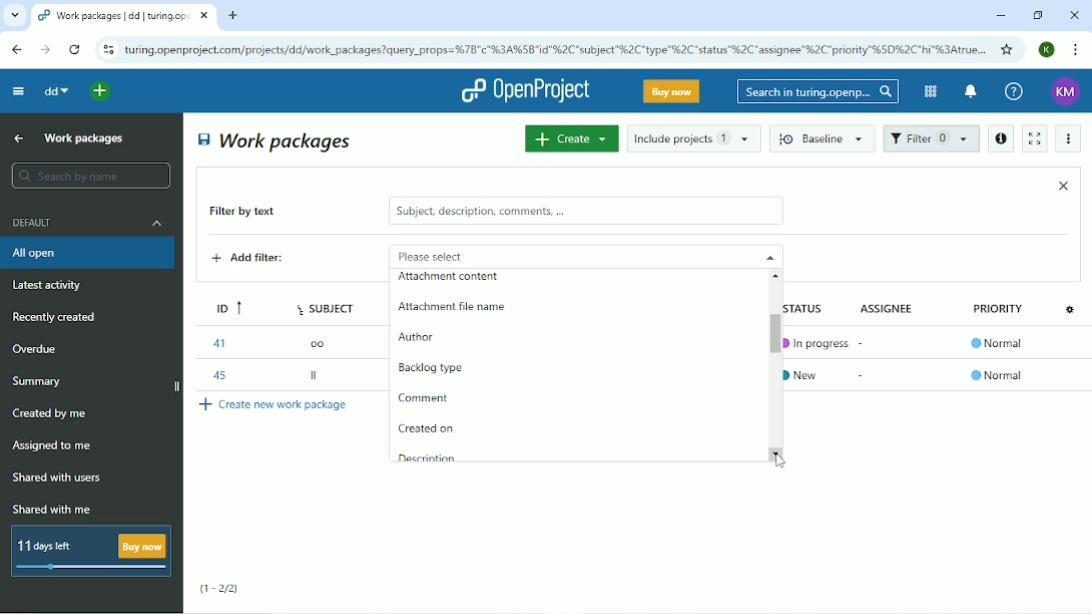 This screenshot has width=1092, height=614. I want to click on Assigned to me, so click(53, 446).